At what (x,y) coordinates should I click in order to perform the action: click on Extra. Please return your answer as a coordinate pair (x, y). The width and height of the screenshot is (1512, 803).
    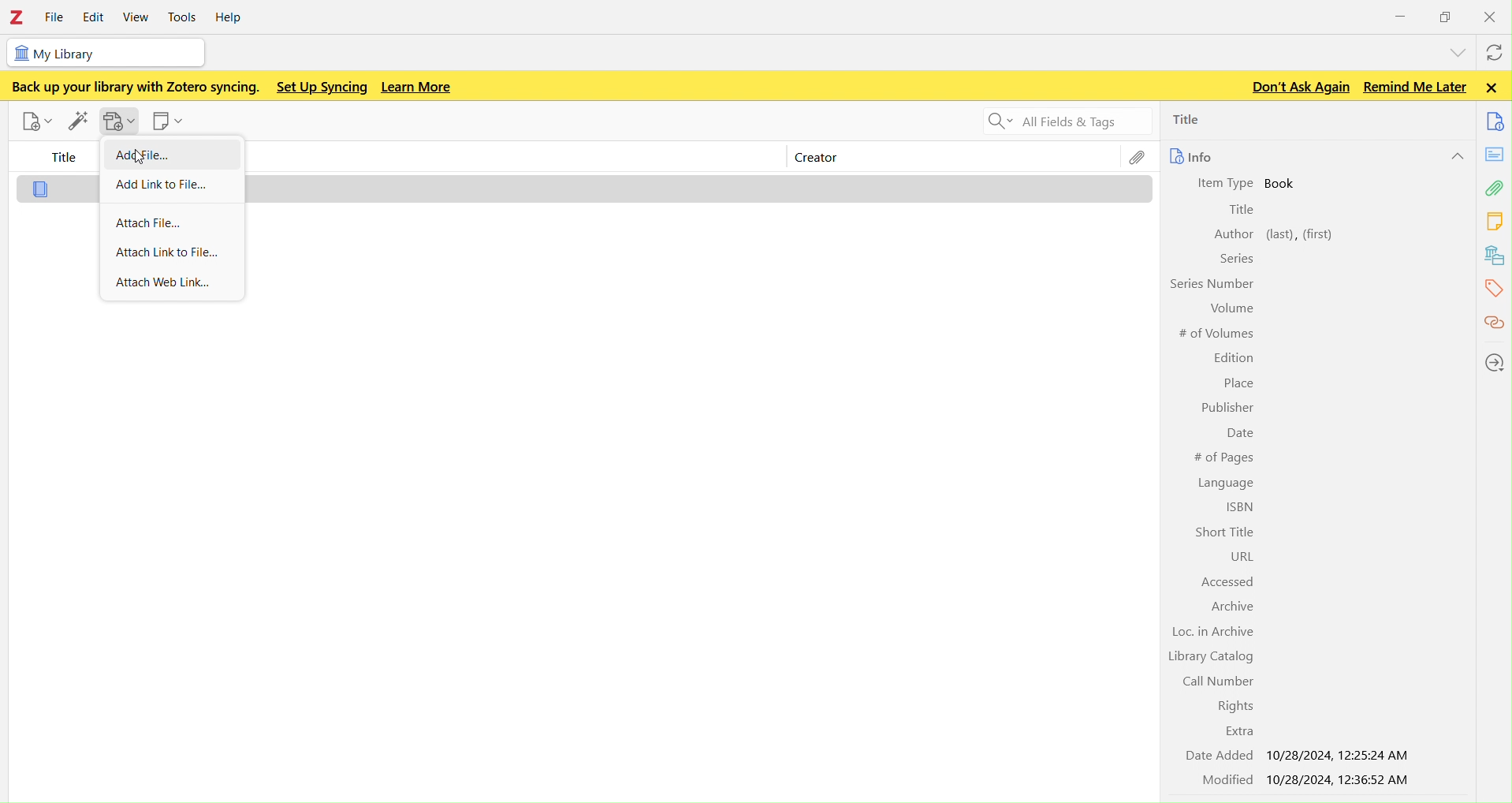
    Looking at the image, I should click on (1234, 731).